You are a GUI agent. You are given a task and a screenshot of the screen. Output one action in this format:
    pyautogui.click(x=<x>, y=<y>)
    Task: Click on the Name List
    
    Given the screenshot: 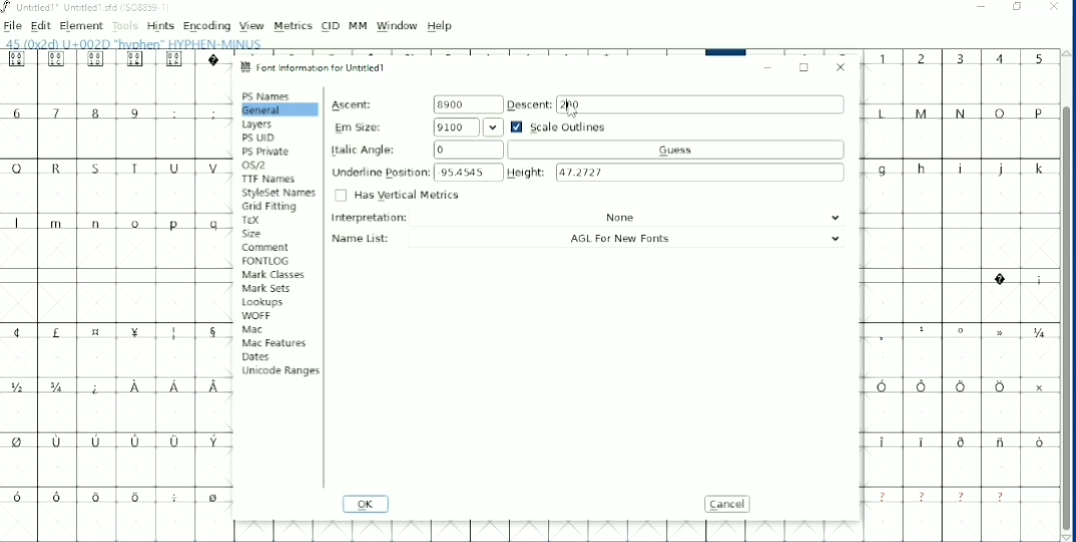 What is the action you would take?
    pyautogui.click(x=592, y=238)
    